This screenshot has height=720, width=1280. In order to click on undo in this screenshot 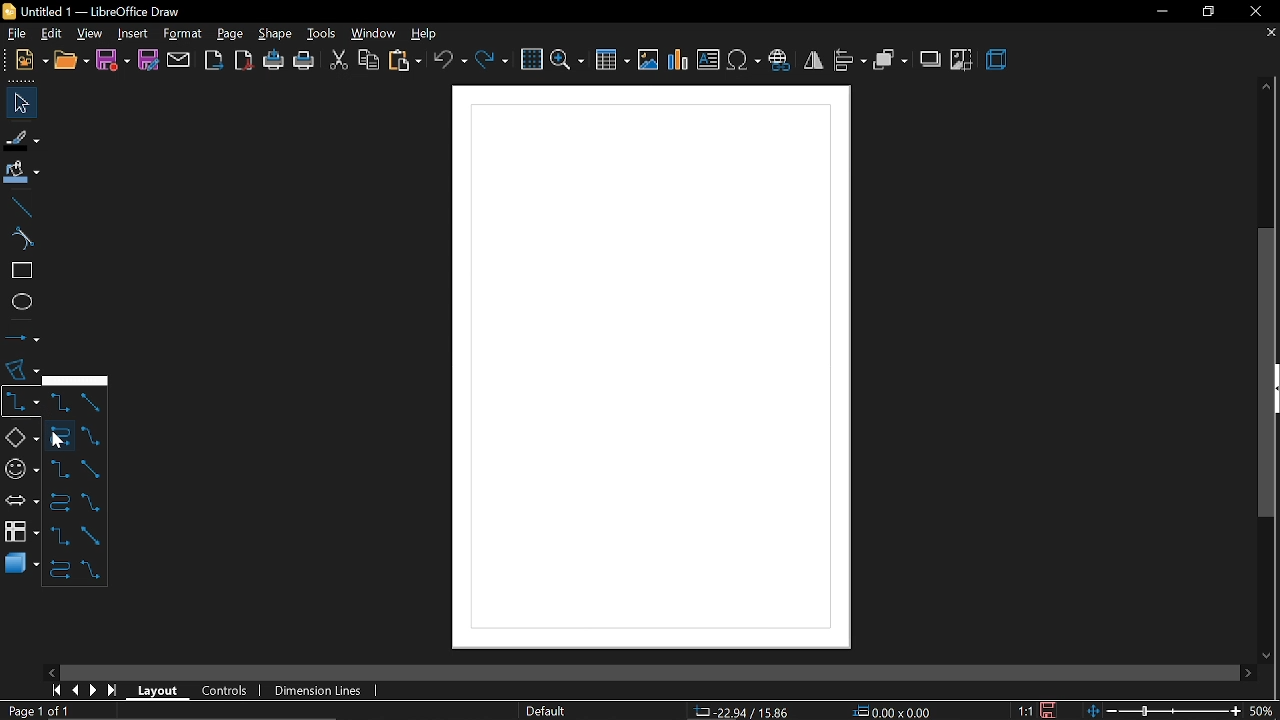, I will do `click(450, 61)`.